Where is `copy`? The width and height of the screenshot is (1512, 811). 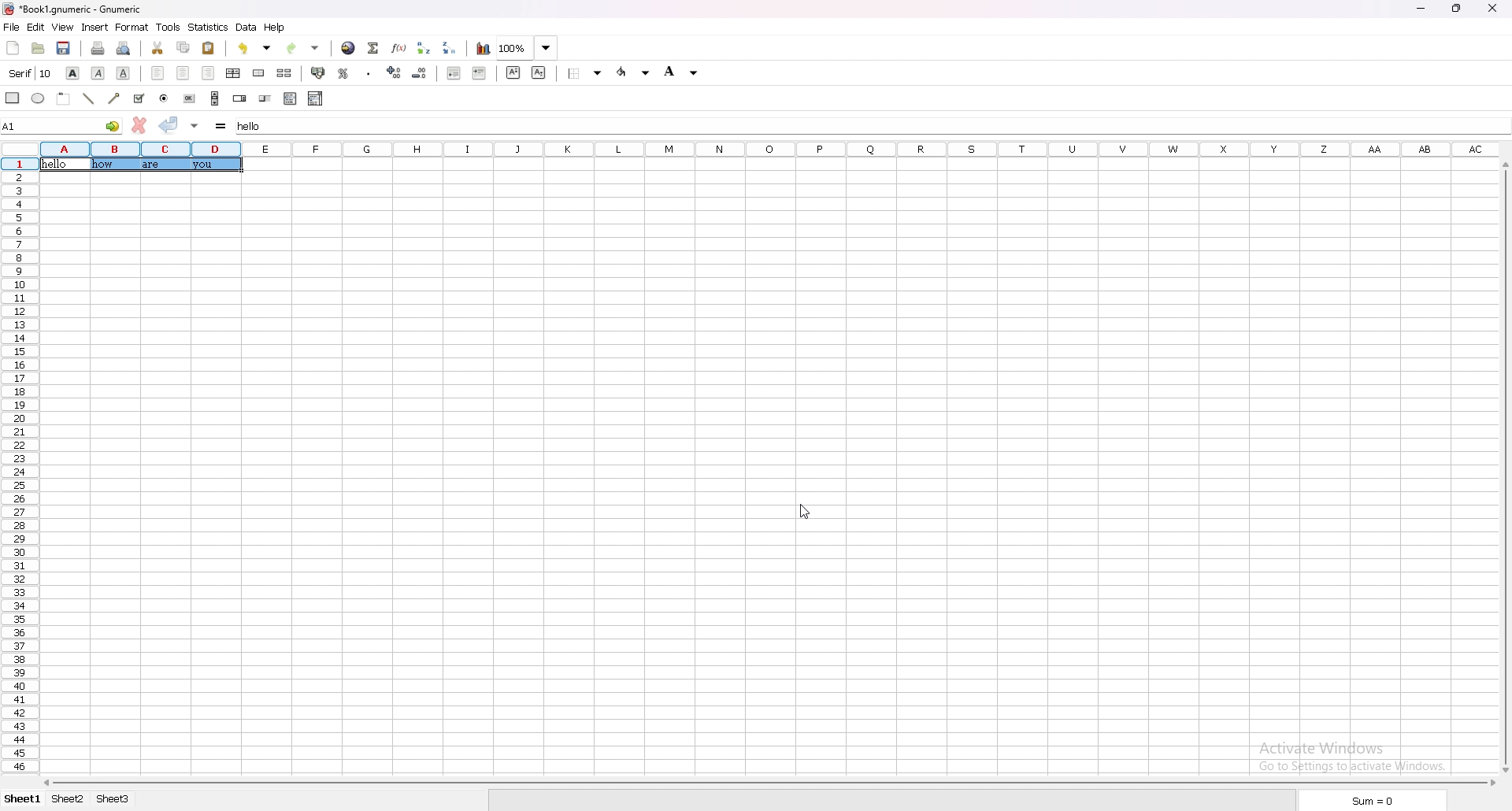
copy is located at coordinates (183, 47).